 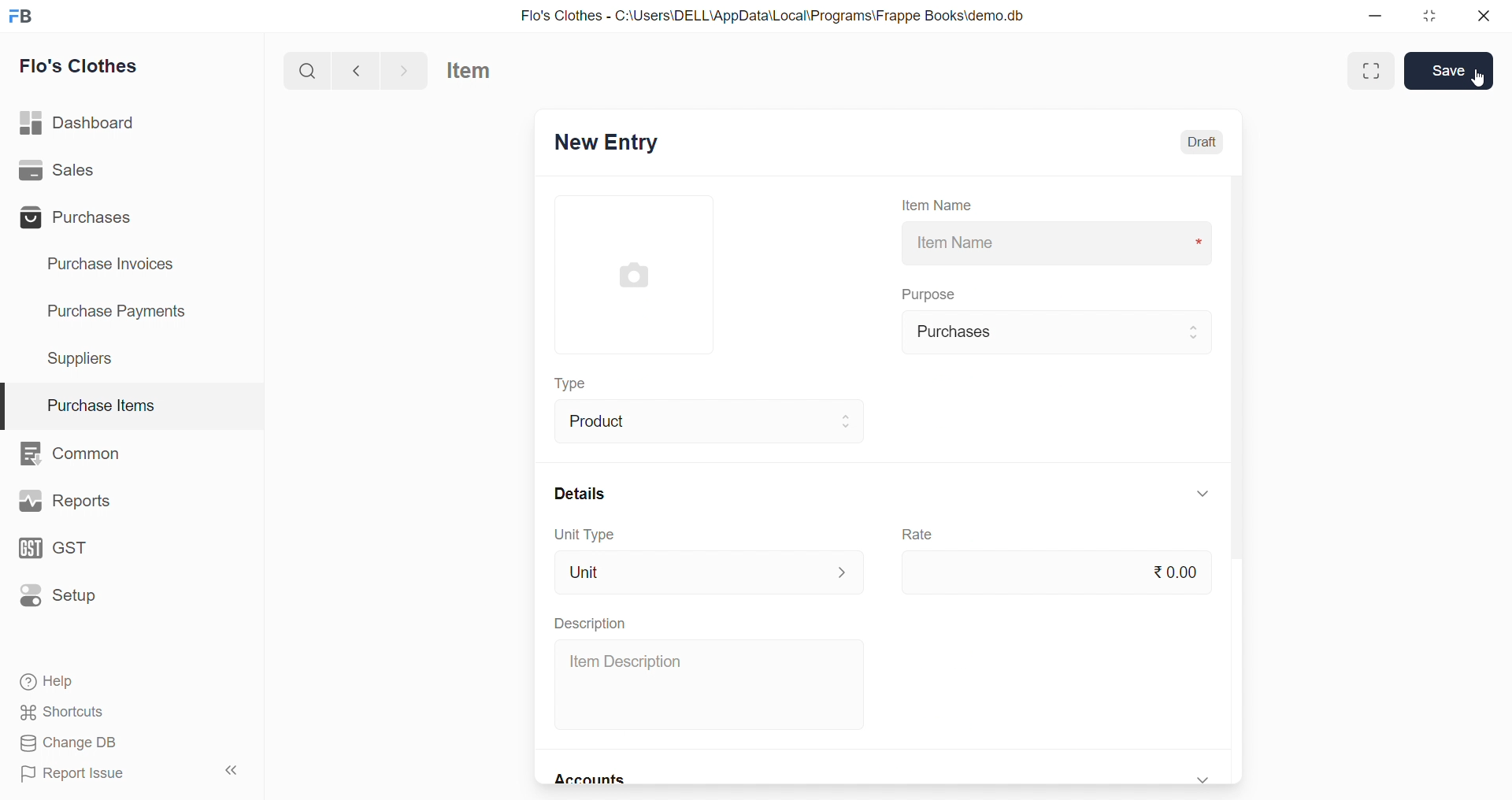 I want to click on Type, so click(x=577, y=385).